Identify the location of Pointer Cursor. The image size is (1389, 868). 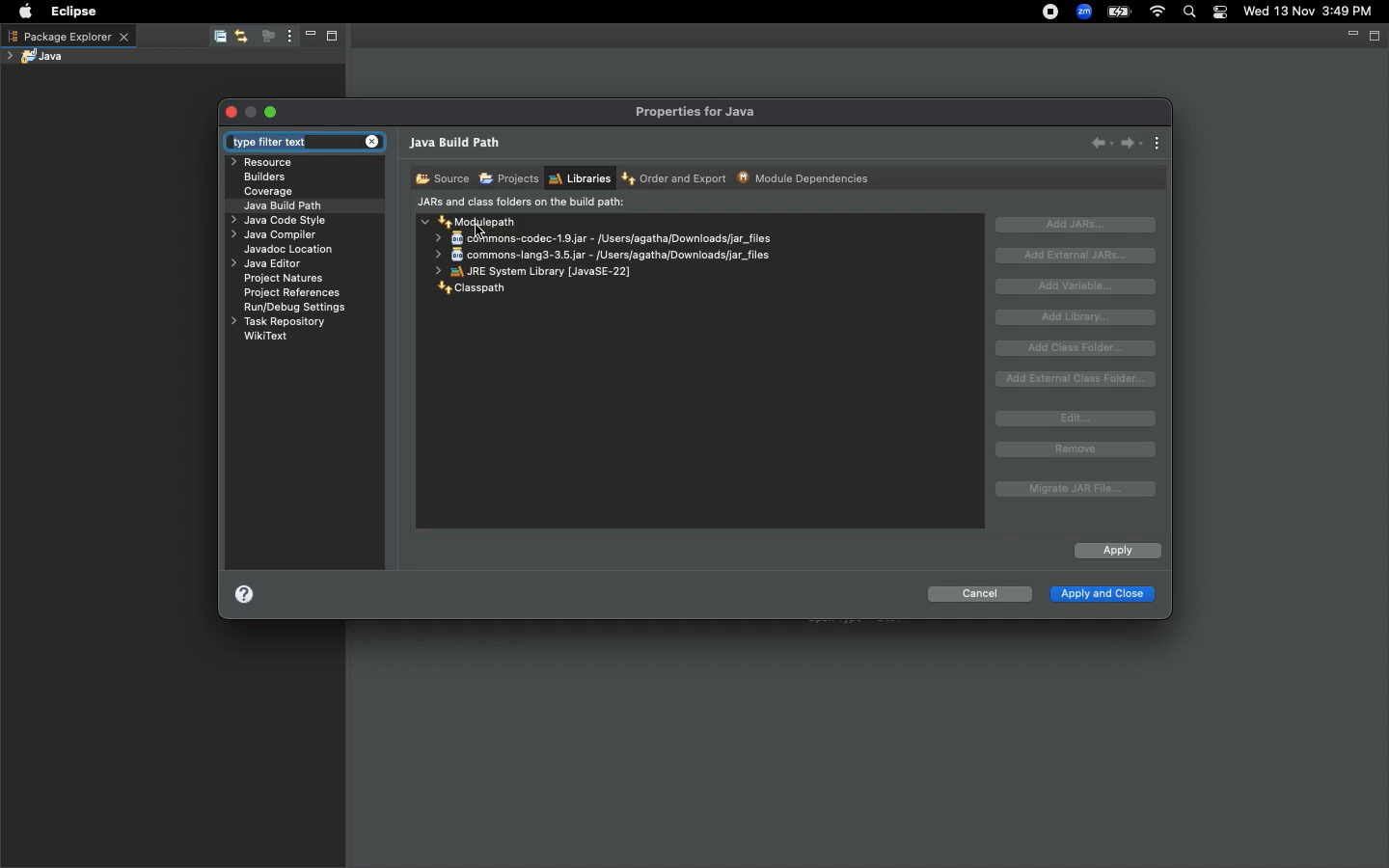
(477, 232).